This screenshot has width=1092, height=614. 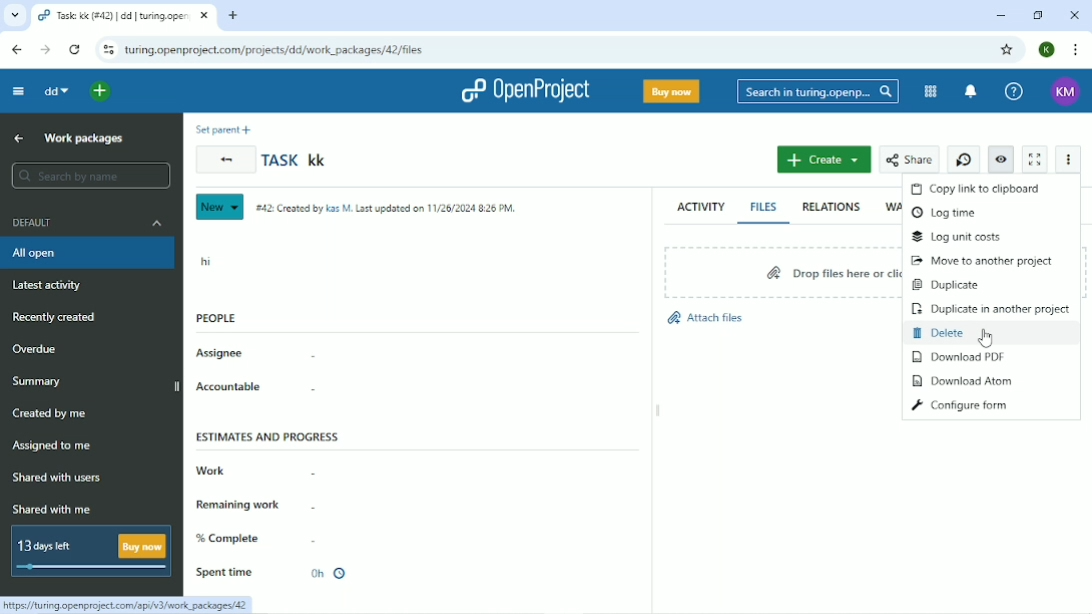 What do you see at coordinates (969, 90) in the screenshot?
I see `To notification center` at bounding box center [969, 90].